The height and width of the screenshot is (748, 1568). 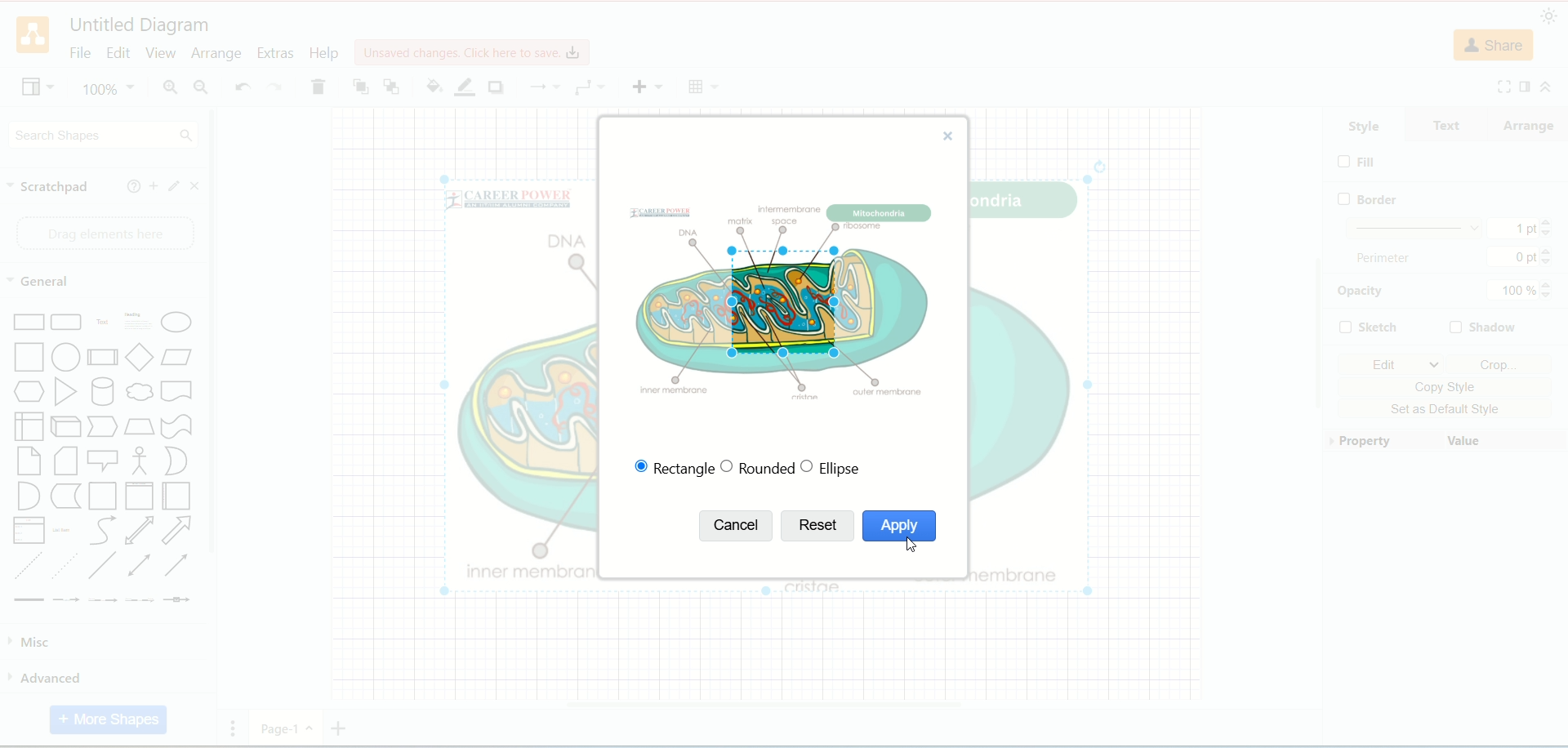 I want to click on set as default, so click(x=1449, y=408).